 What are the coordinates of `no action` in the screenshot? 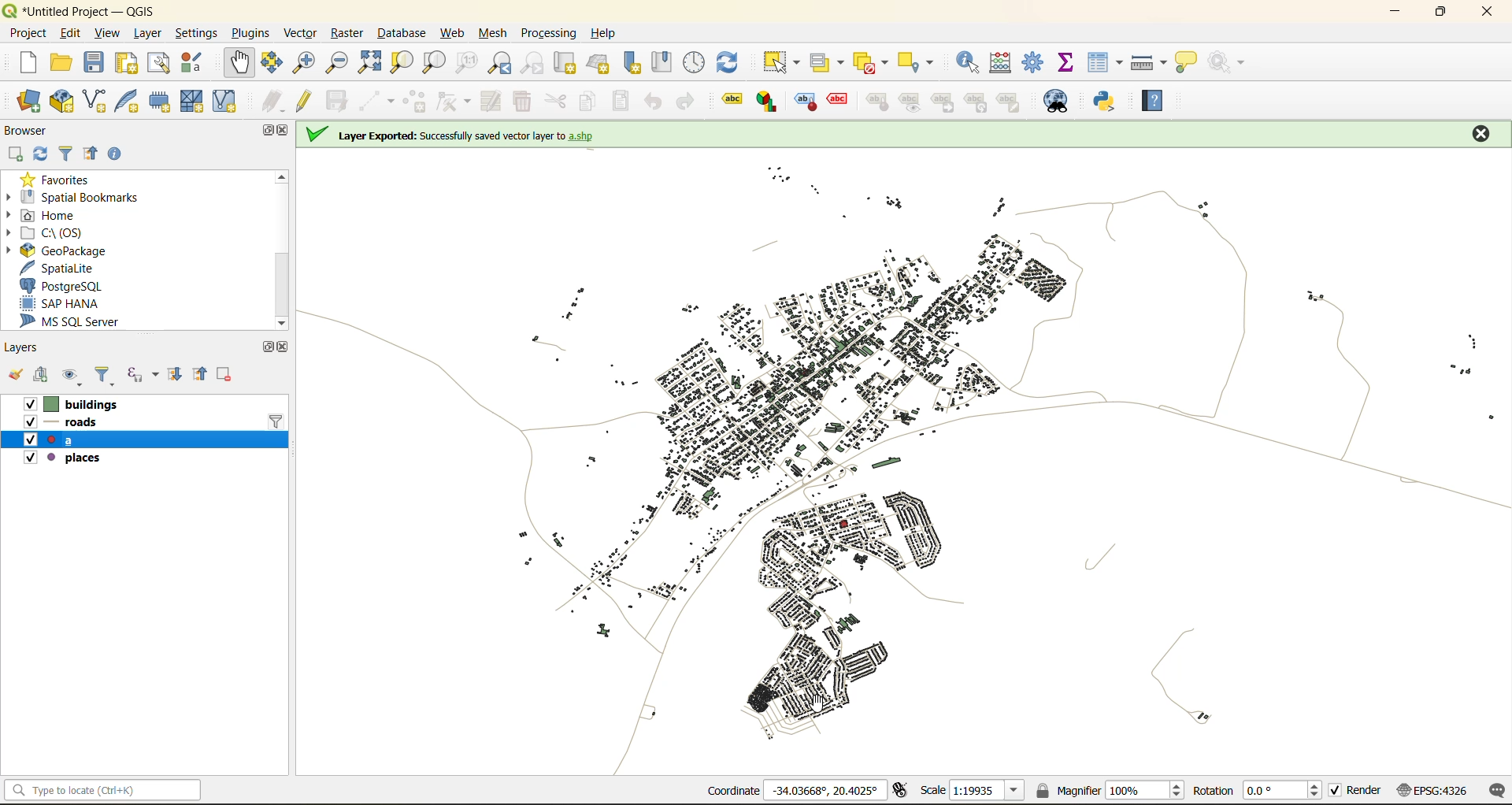 It's located at (1233, 63).